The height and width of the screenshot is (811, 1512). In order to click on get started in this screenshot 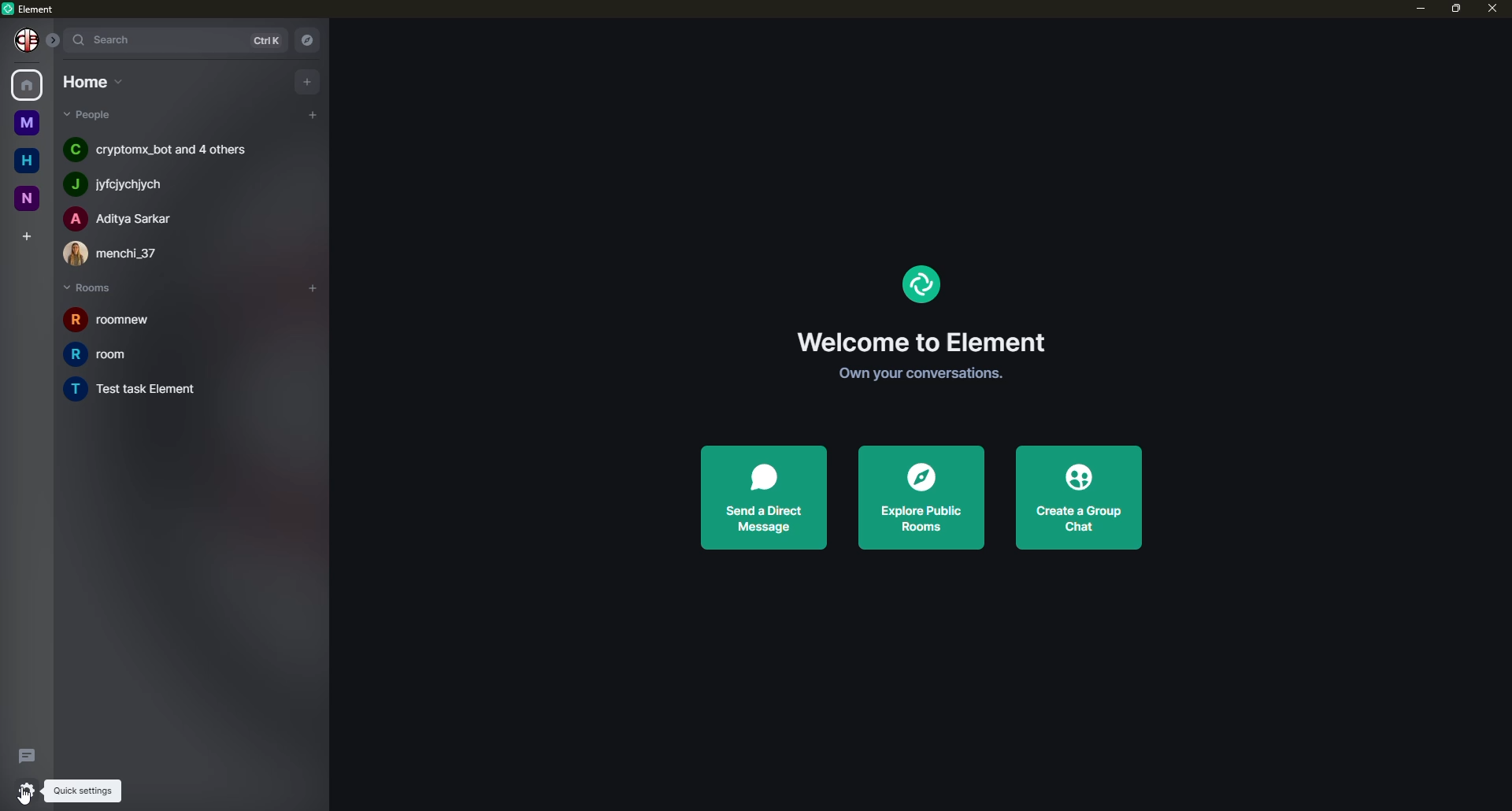, I will do `click(914, 376)`.